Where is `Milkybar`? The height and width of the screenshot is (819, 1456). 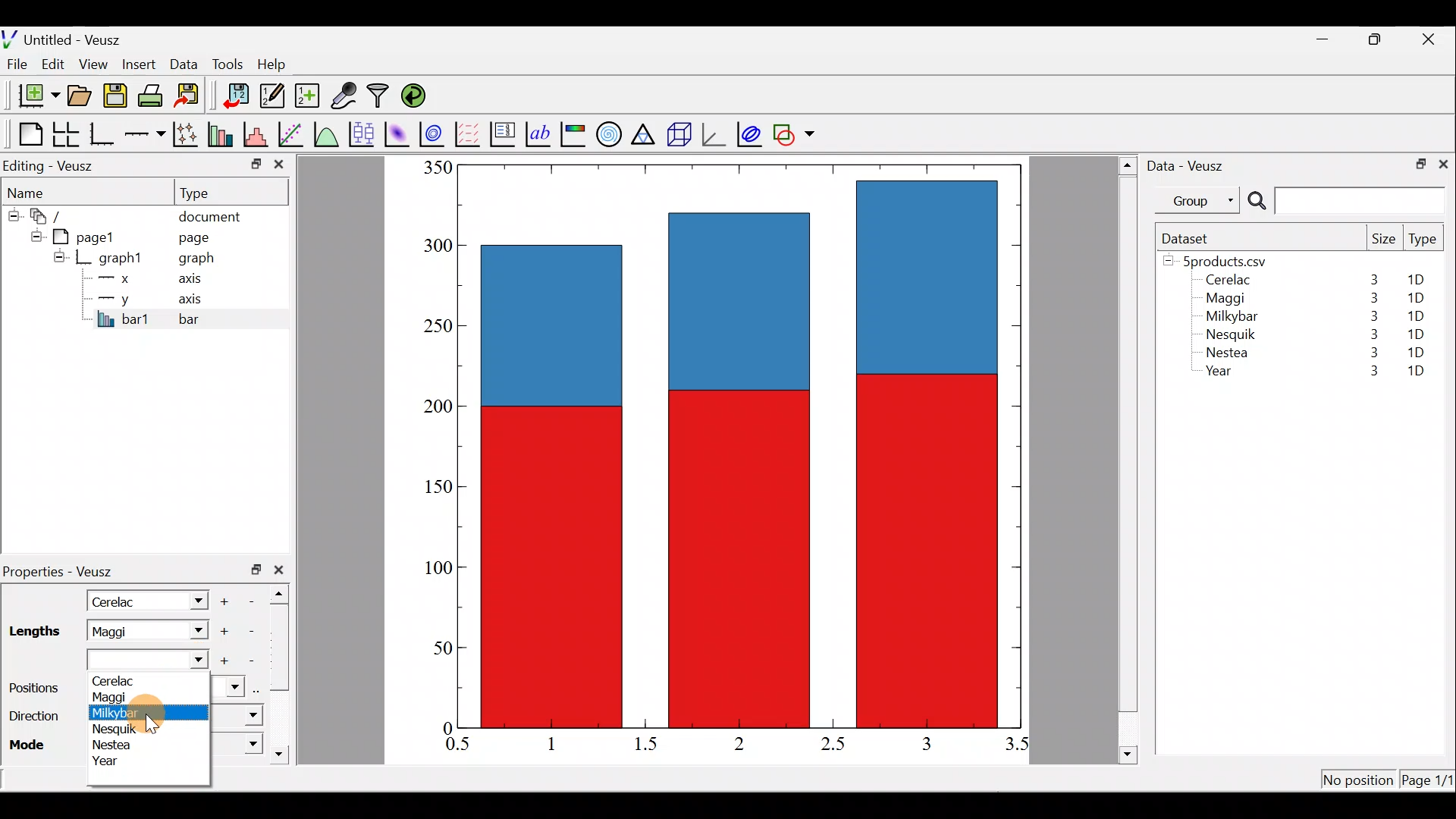
Milkybar is located at coordinates (1228, 318).